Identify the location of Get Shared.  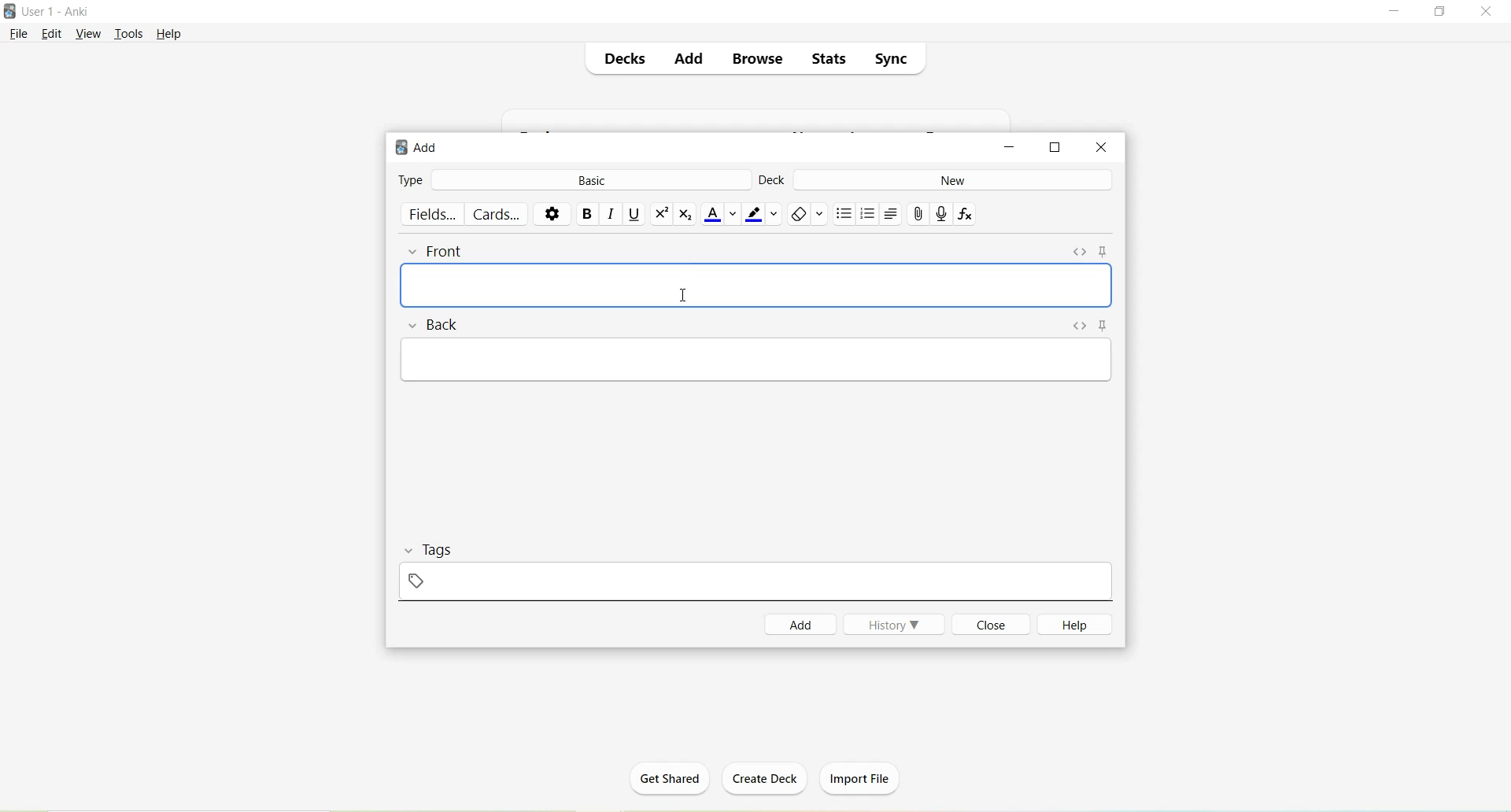
(670, 784).